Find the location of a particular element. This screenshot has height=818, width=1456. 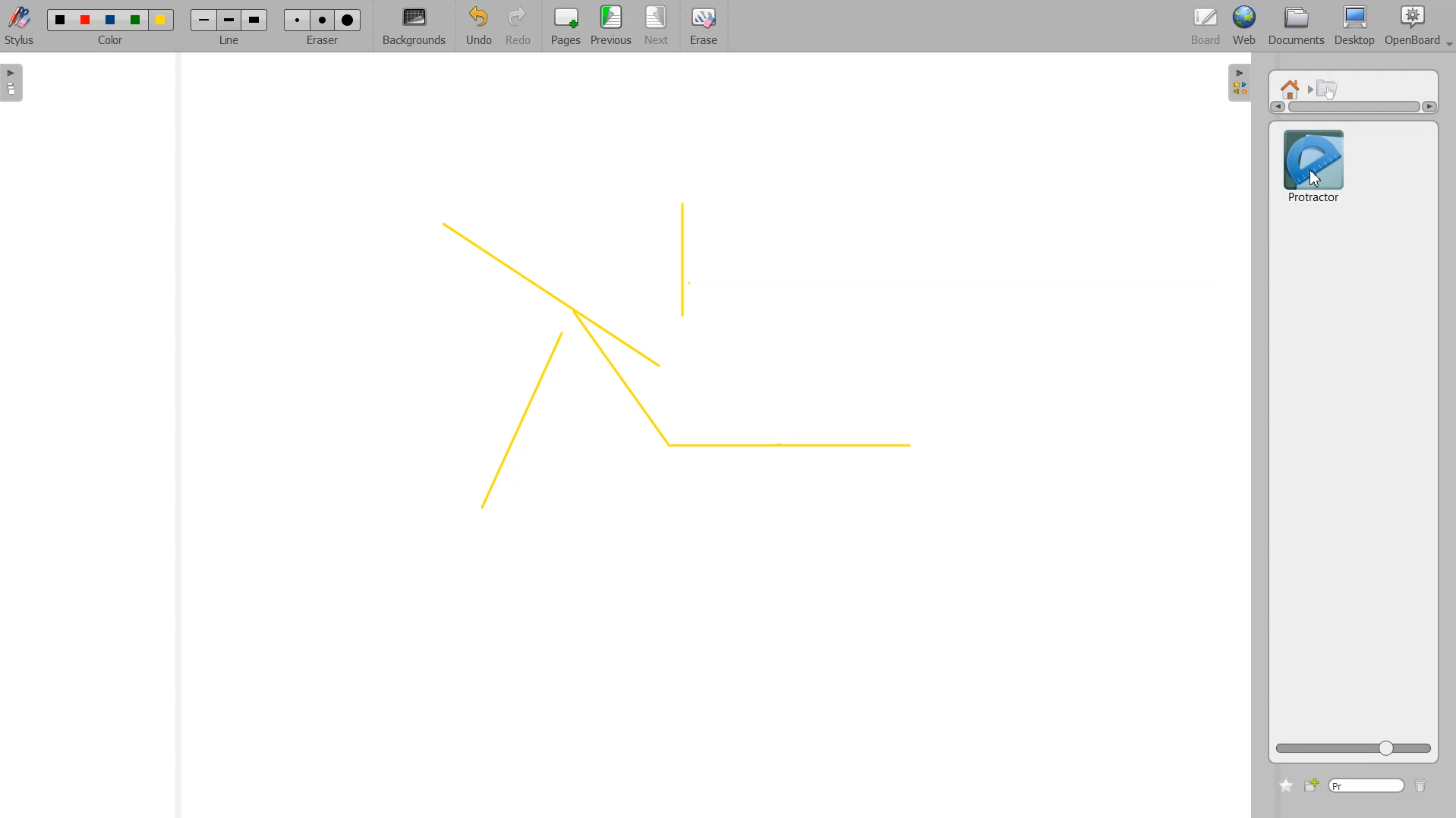

Home is located at coordinates (1293, 88).